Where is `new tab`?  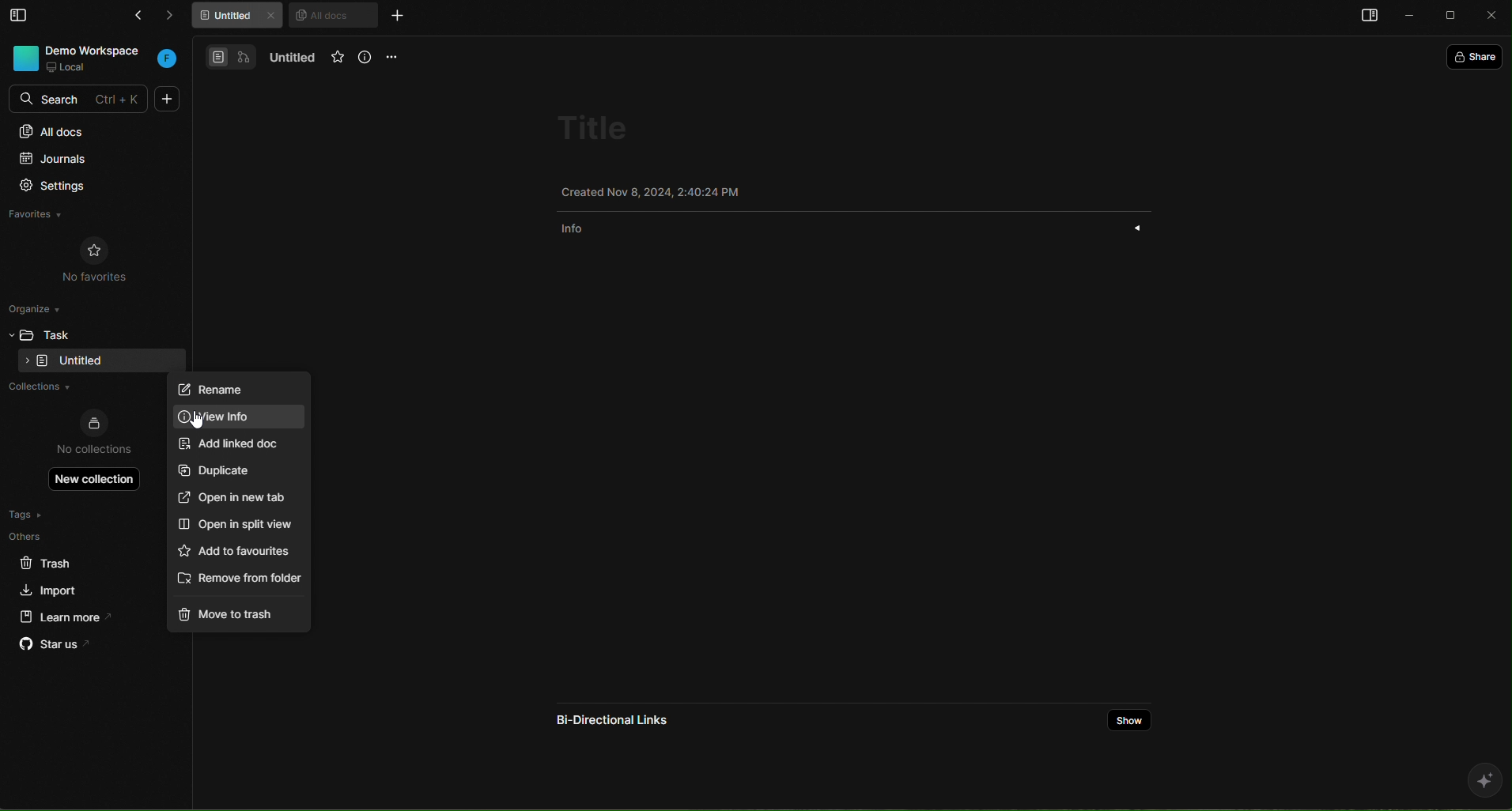
new tab is located at coordinates (396, 15).